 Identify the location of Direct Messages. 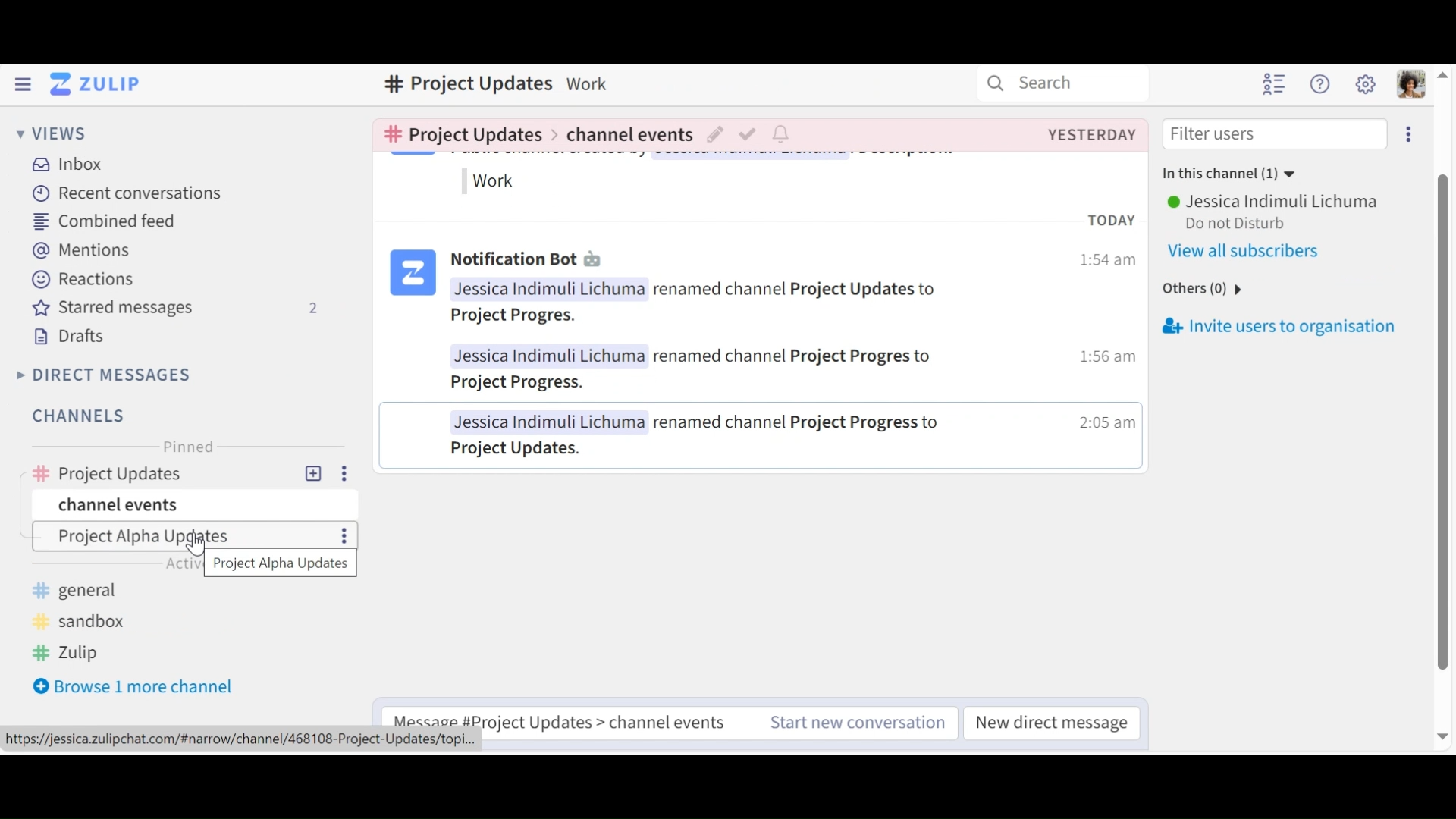
(105, 375).